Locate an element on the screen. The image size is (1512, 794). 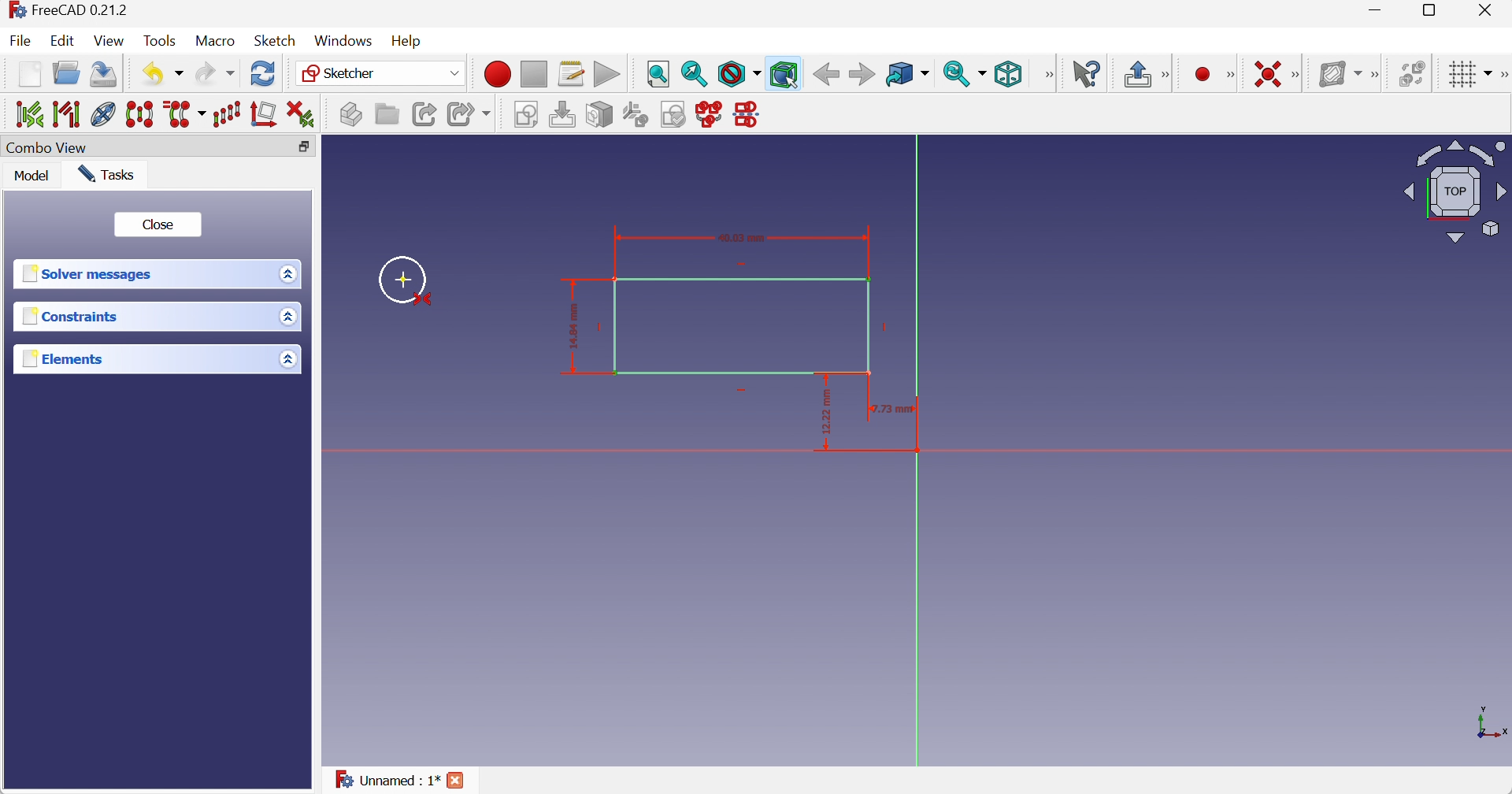
Sketcher is located at coordinates (384, 74).